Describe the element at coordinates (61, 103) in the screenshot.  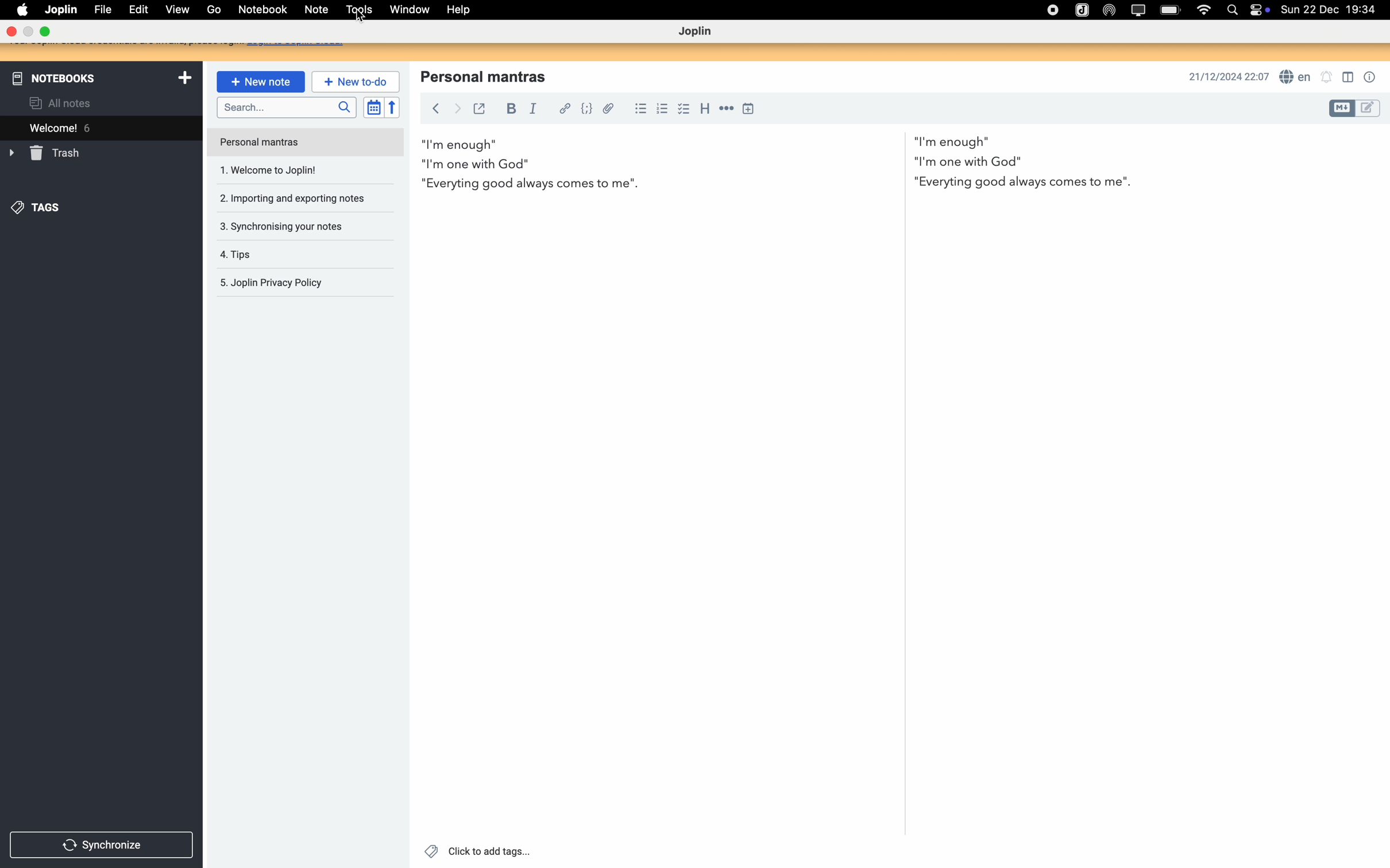
I see `all notes` at that location.